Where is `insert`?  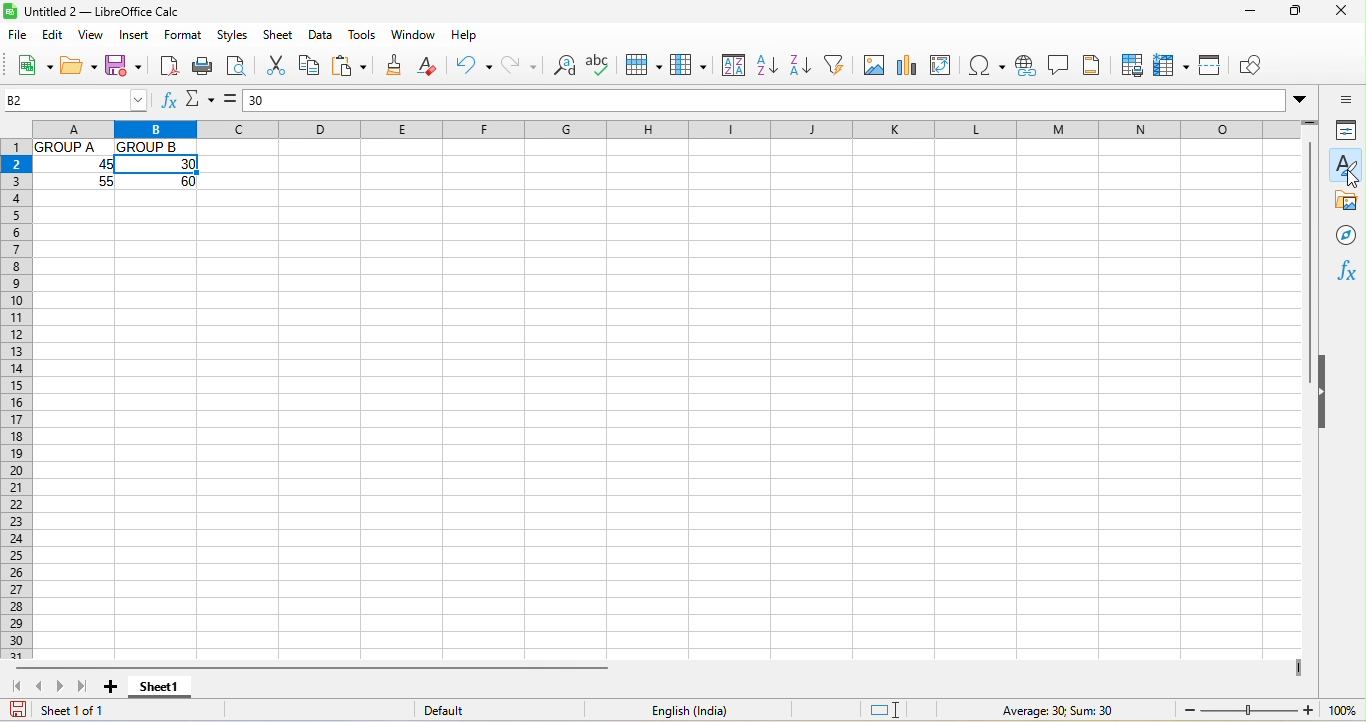 insert is located at coordinates (138, 37).